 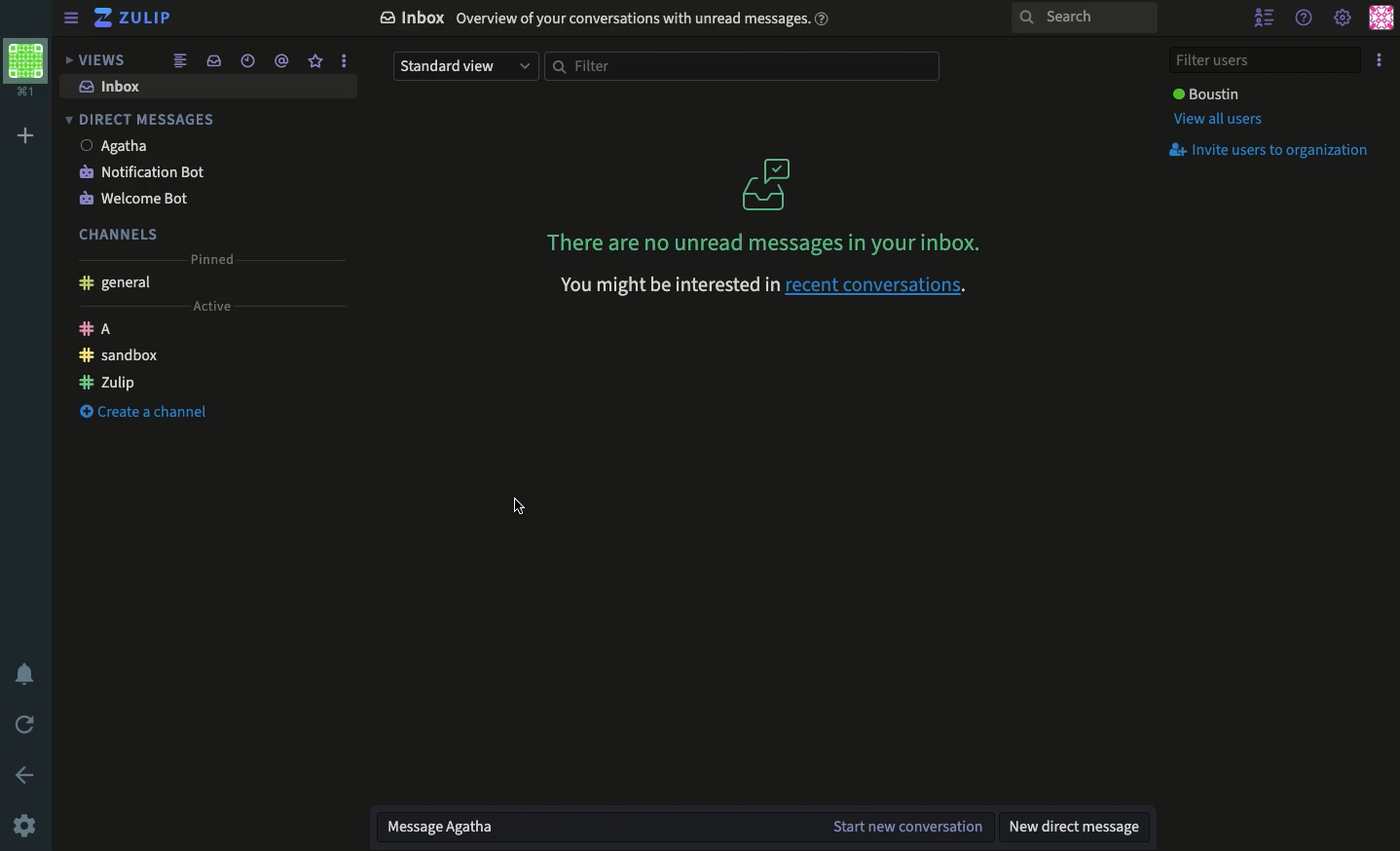 What do you see at coordinates (608, 20) in the screenshot?
I see `Inbox` at bounding box center [608, 20].